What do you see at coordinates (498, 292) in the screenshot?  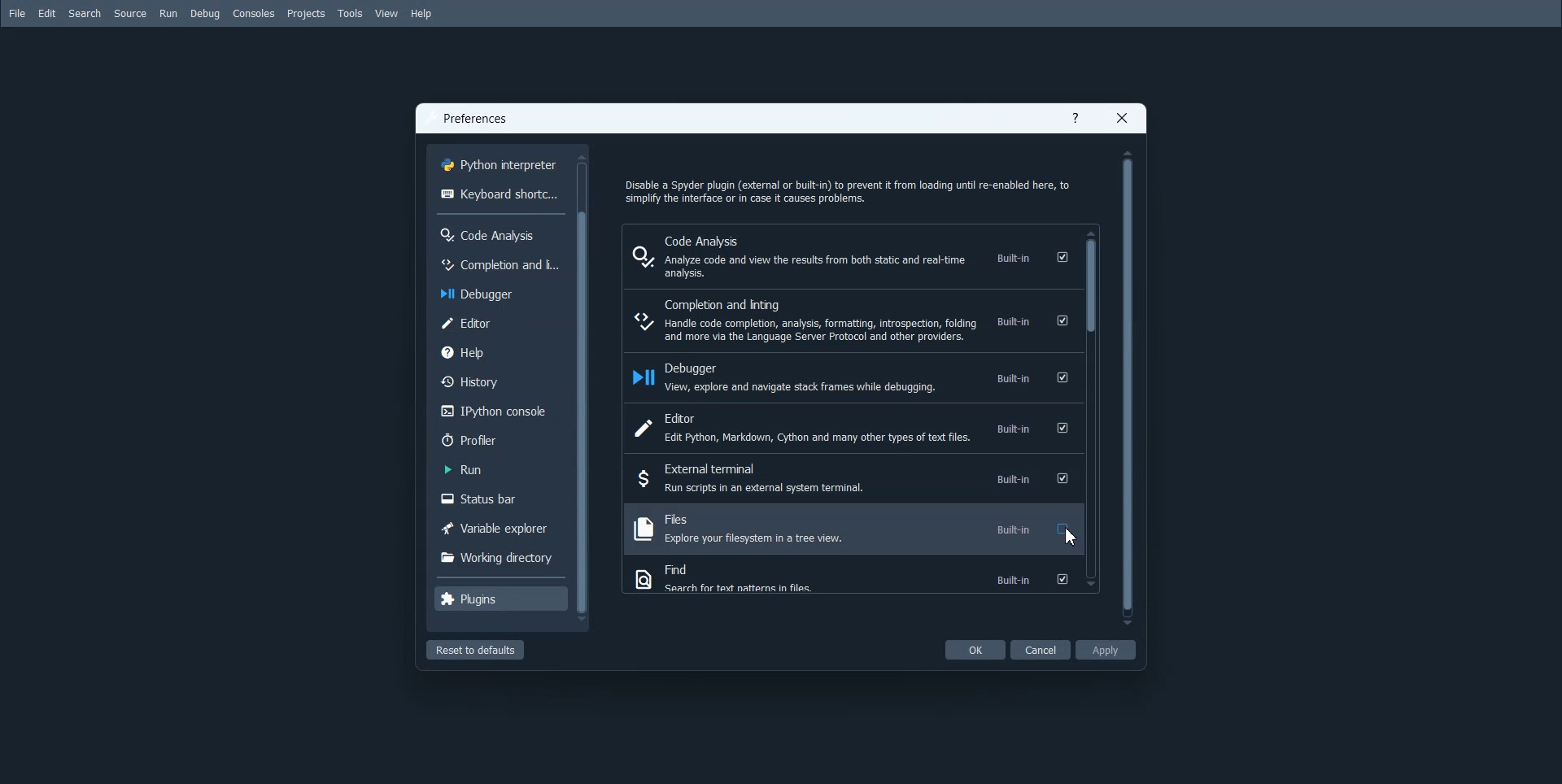 I see `Debugger` at bounding box center [498, 292].